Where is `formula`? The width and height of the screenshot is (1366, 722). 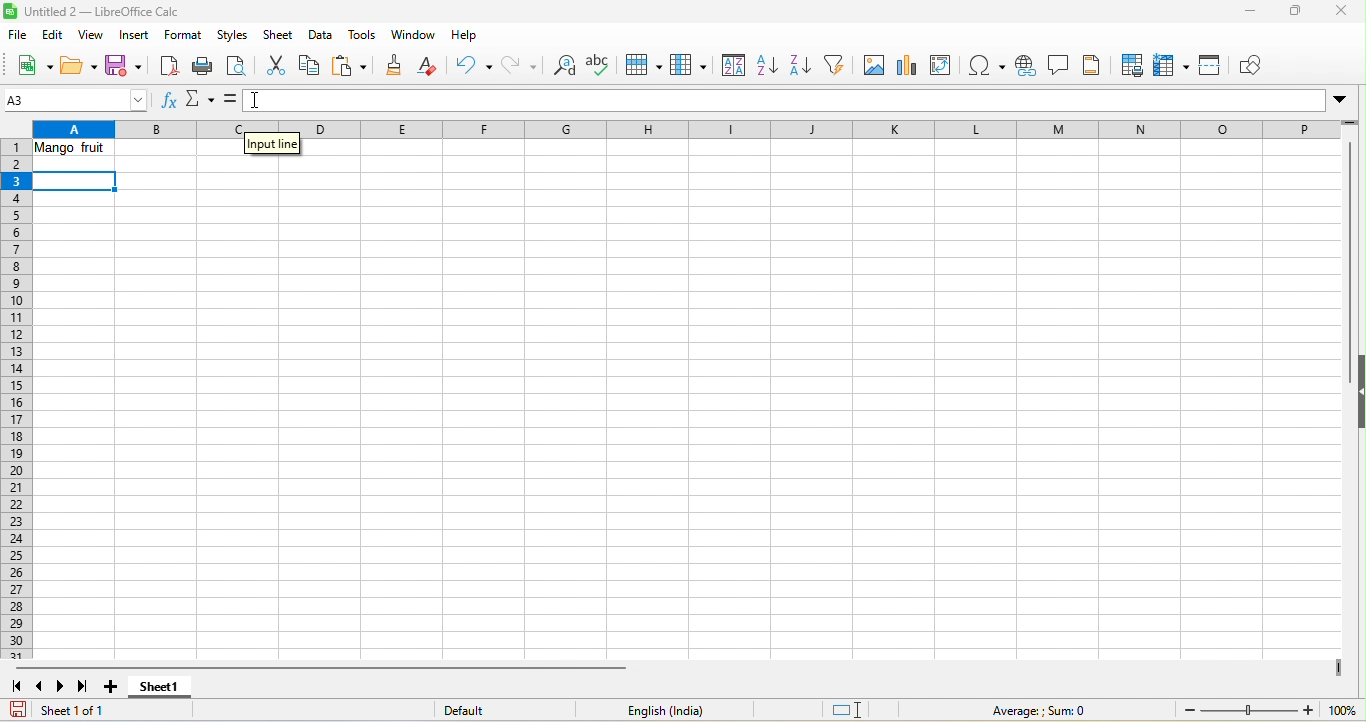 formula is located at coordinates (231, 100).